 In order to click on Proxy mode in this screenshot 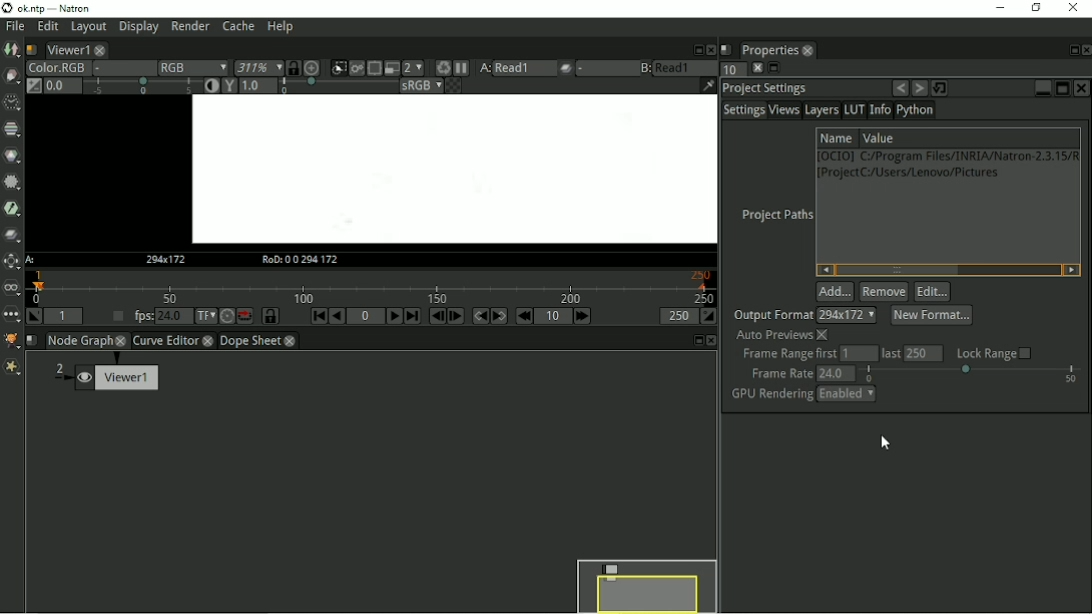, I will do `click(393, 68)`.